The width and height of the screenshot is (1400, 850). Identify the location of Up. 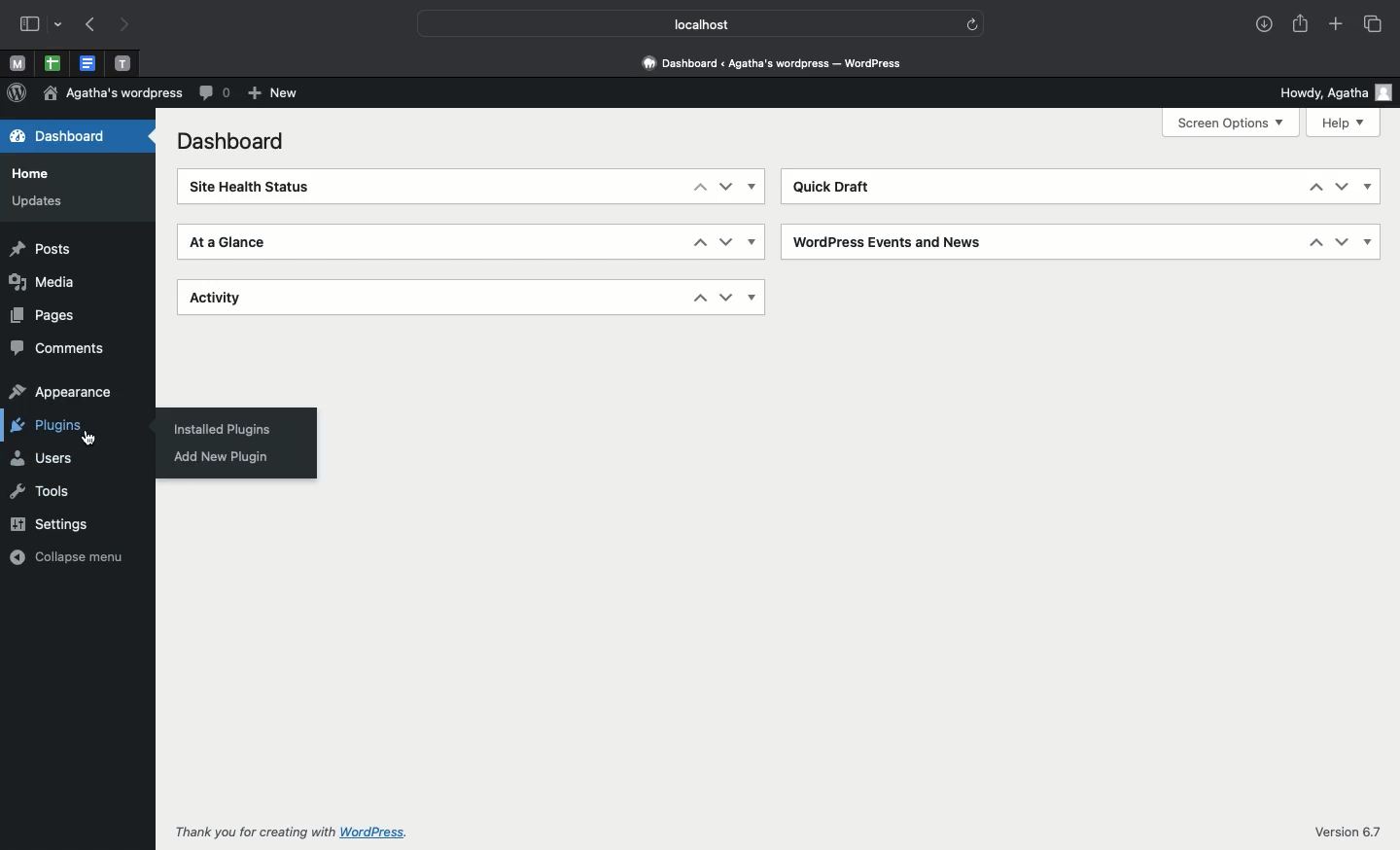
(1313, 185).